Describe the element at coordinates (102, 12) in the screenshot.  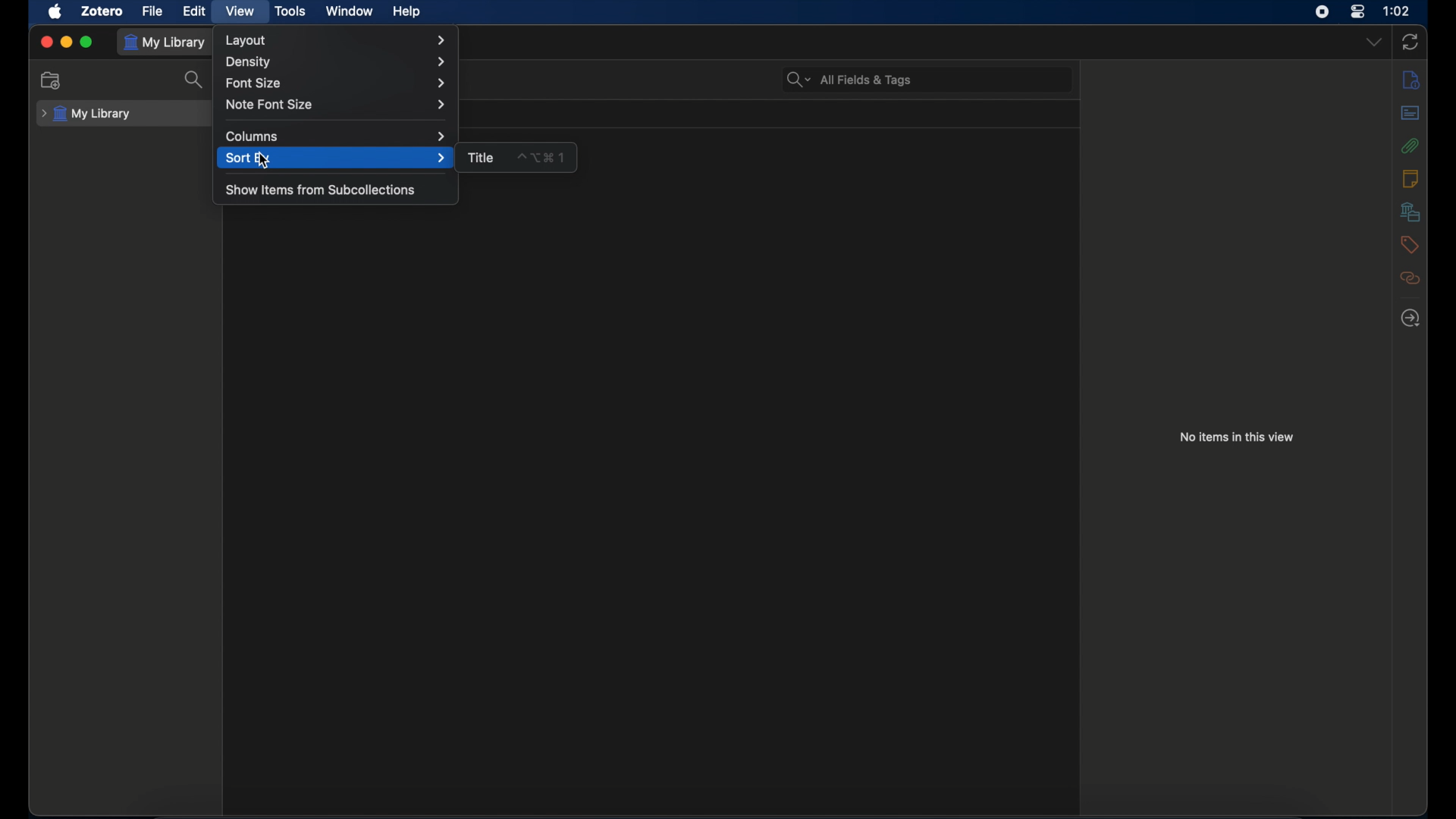
I see `zotero` at that location.